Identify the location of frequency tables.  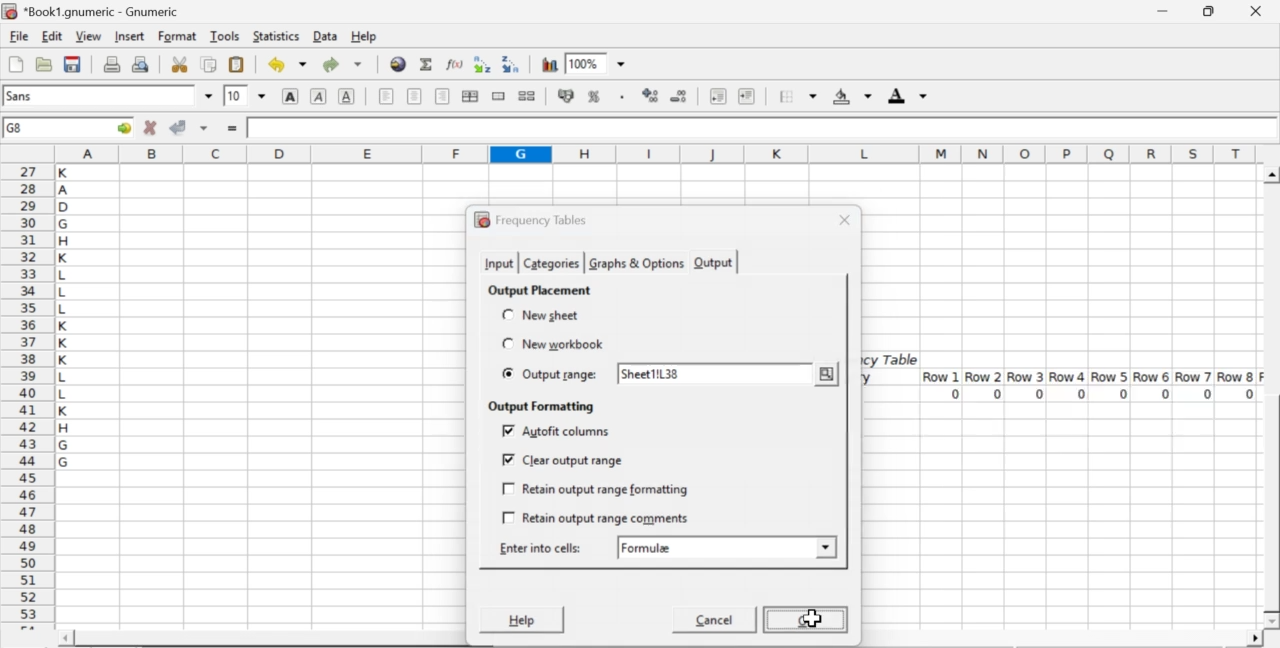
(531, 219).